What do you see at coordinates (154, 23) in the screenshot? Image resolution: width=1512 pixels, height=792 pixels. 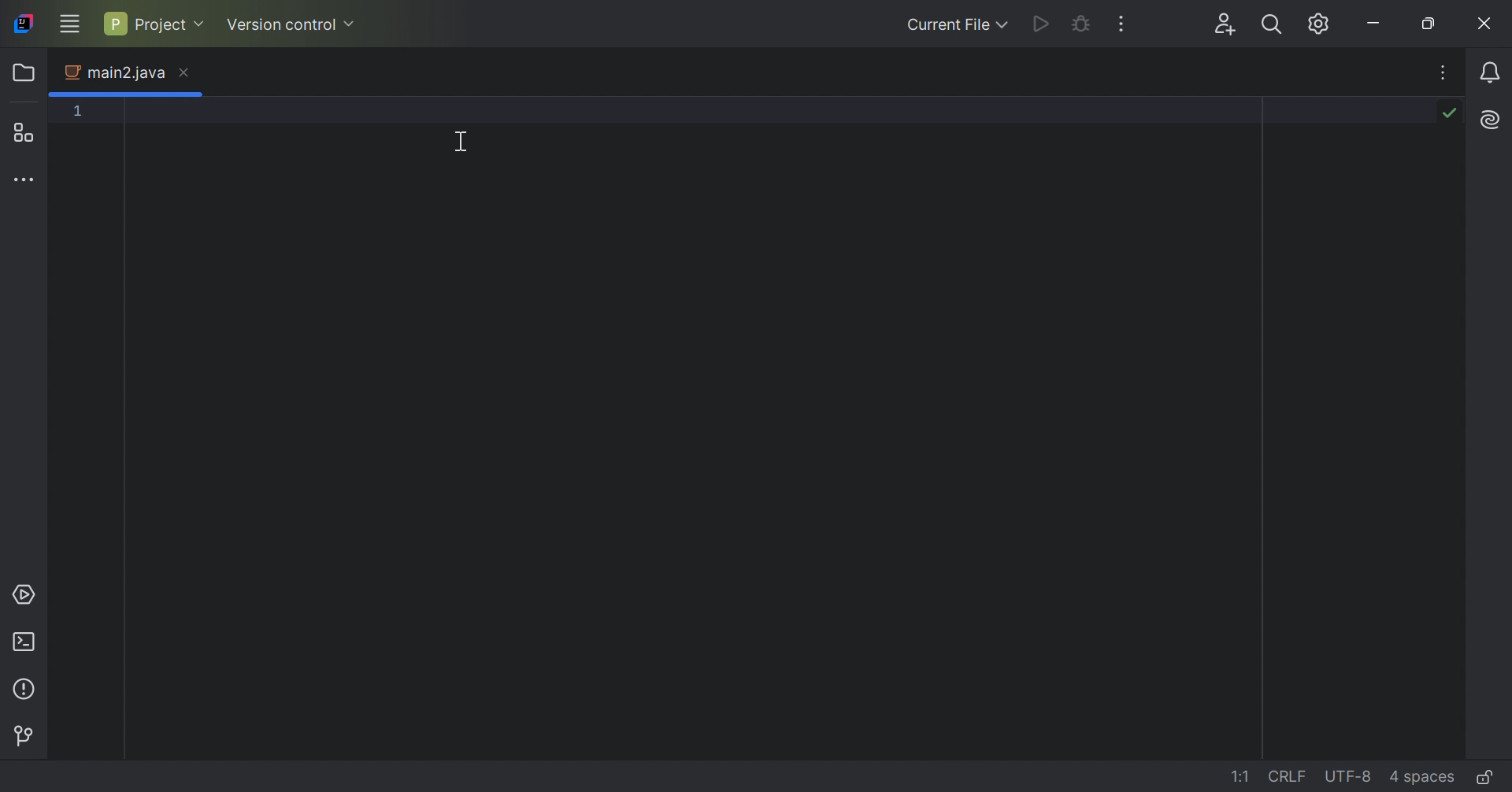 I see `Project` at bounding box center [154, 23].